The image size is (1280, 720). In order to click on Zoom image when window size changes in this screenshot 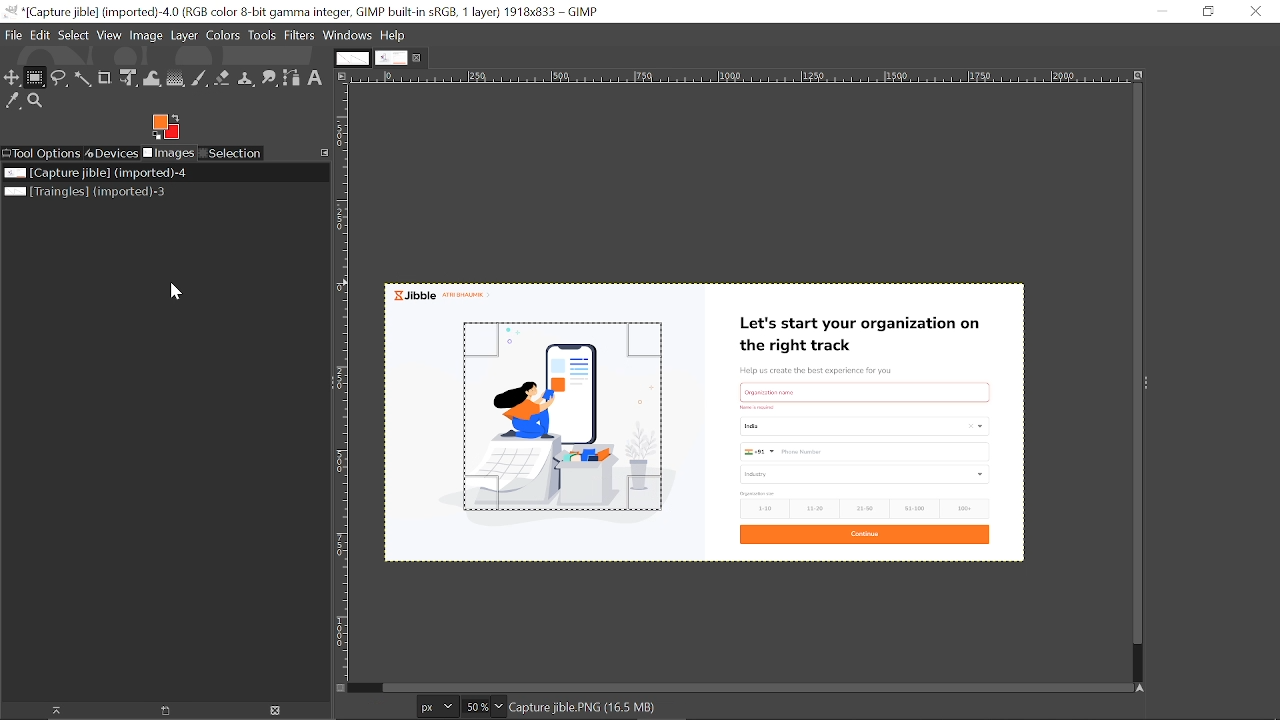, I will do `click(1136, 75)`.